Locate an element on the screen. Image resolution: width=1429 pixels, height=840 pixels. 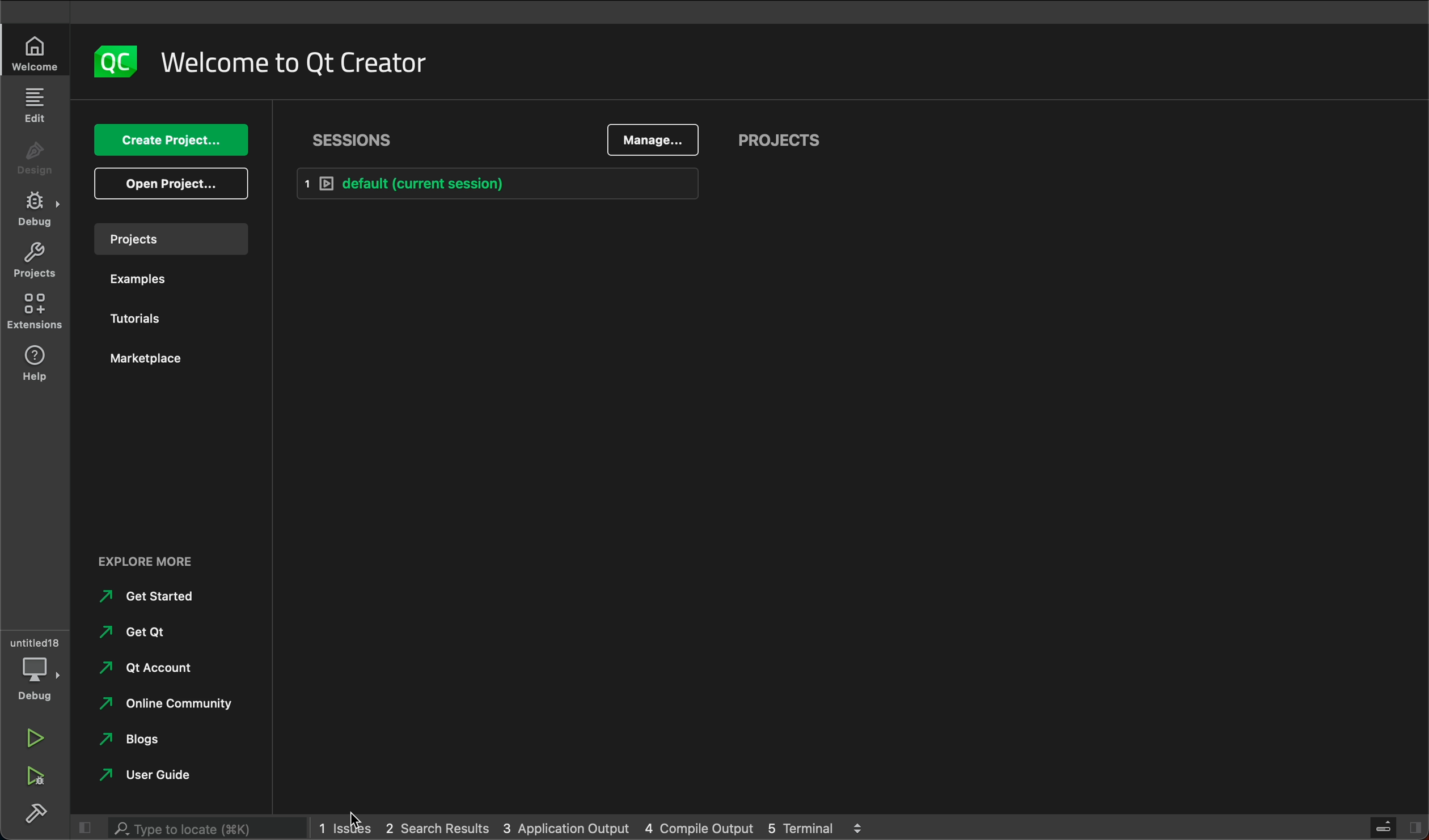
create  is located at coordinates (167, 139).